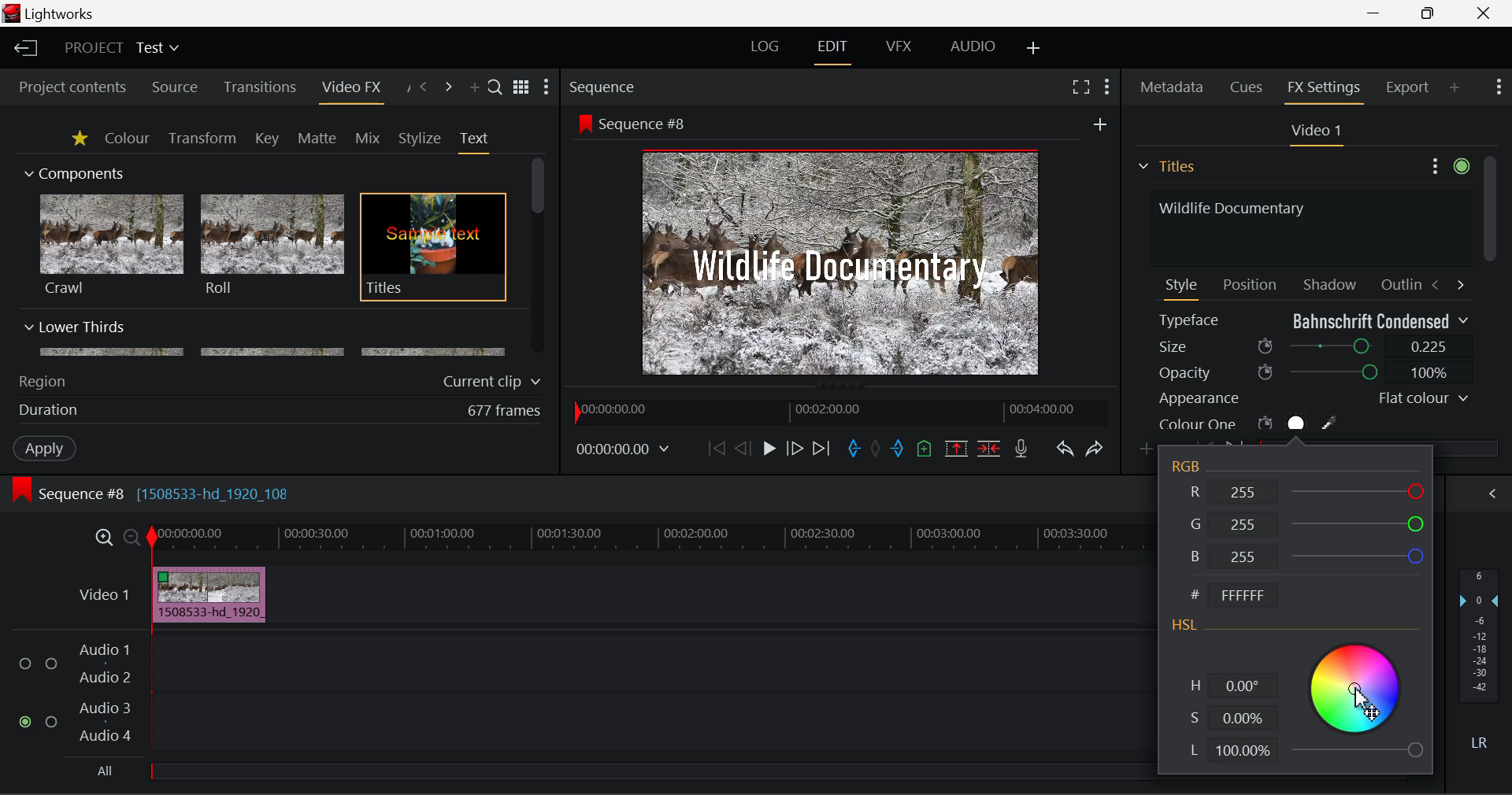 The width and height of the screenshot is (1512, 795). Describe the element at coordinates (81, 139) in the screenshot. I see `Favorites` at that location.